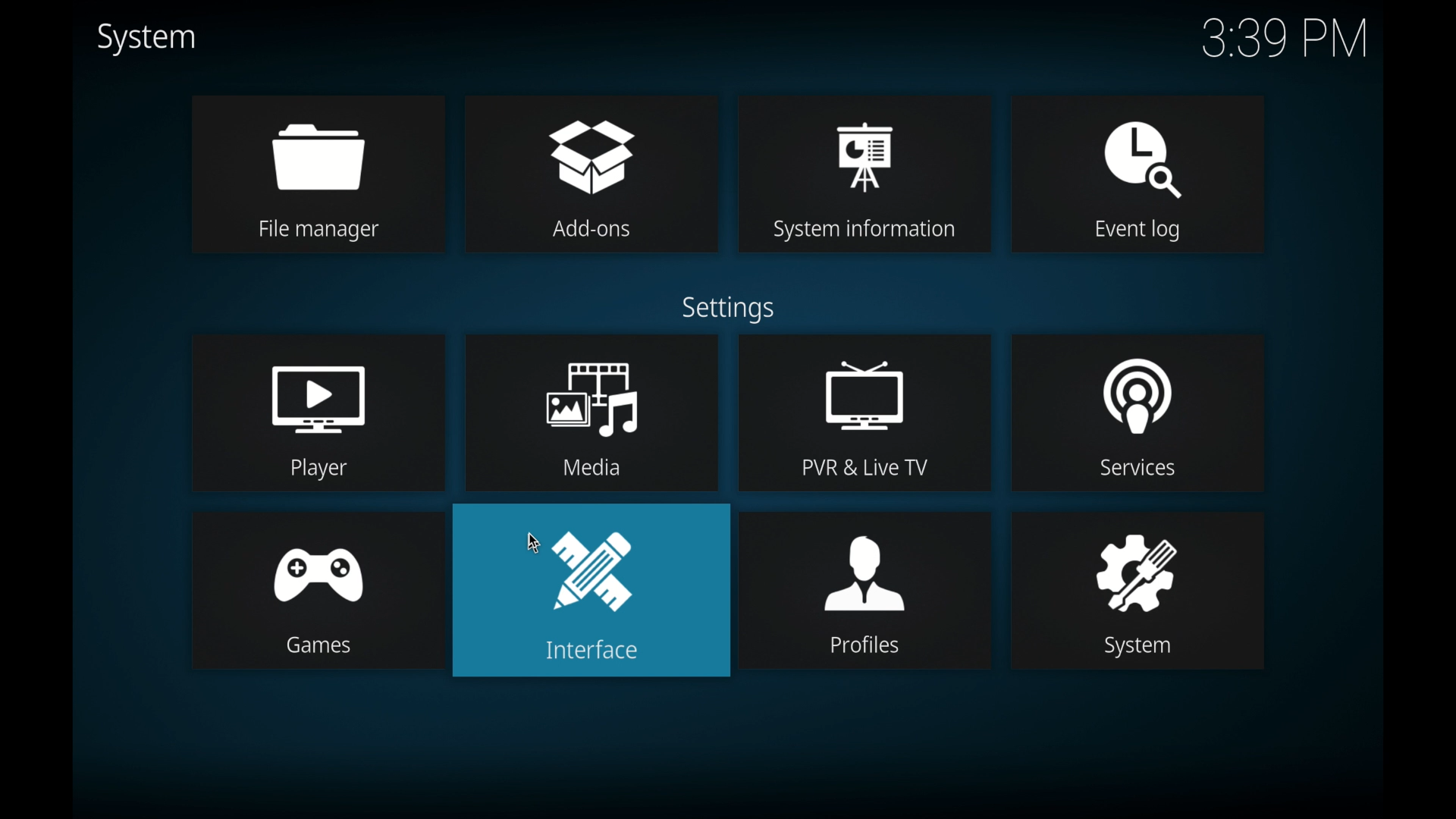  What do you see at coordinates (315, 589) in the screenshot?
I see `games` at bounding box center [315, 589].